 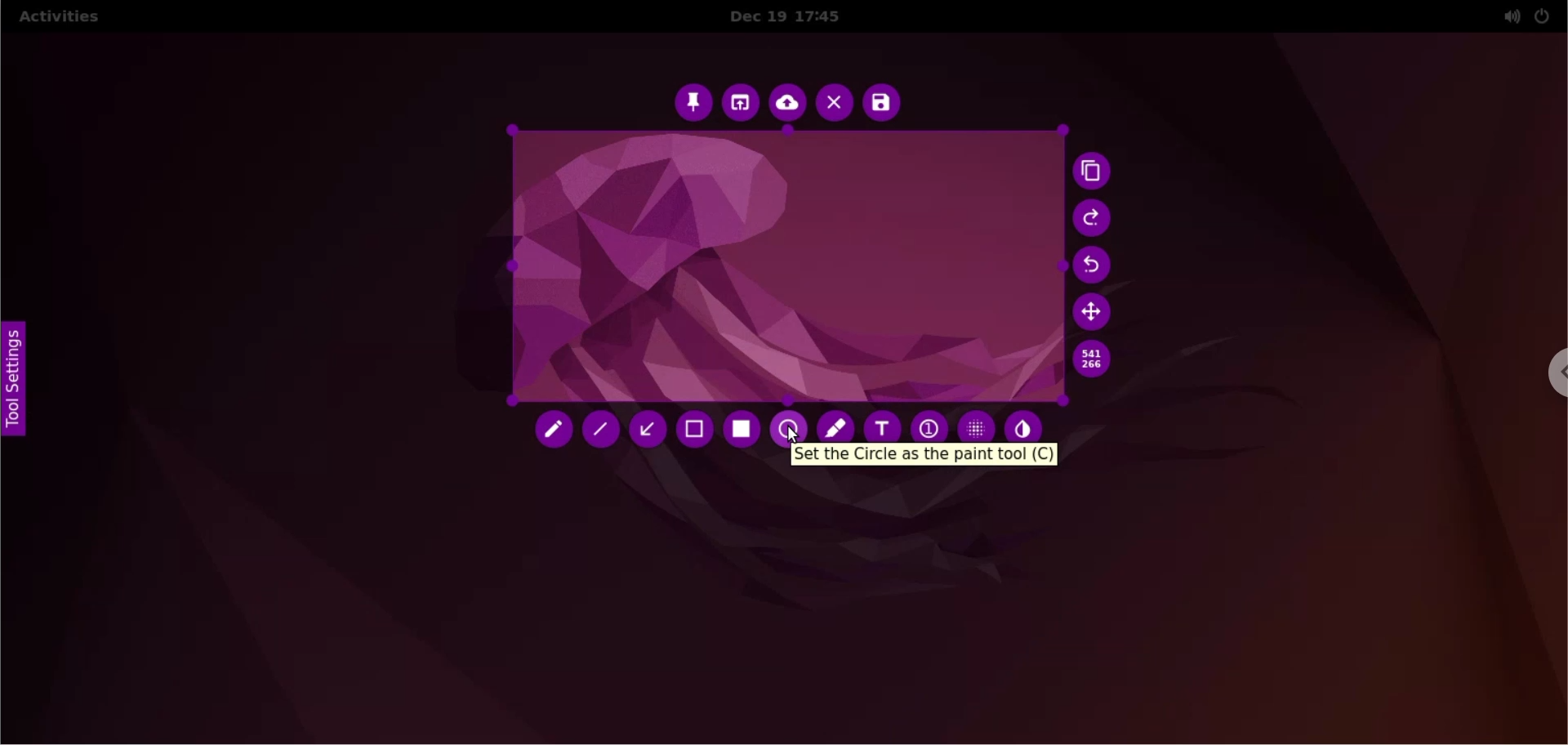 What do you see at coordinates (1096, 173) in the screenshot?
I see `copy to clipboard` at bounding box center [1096, 173].